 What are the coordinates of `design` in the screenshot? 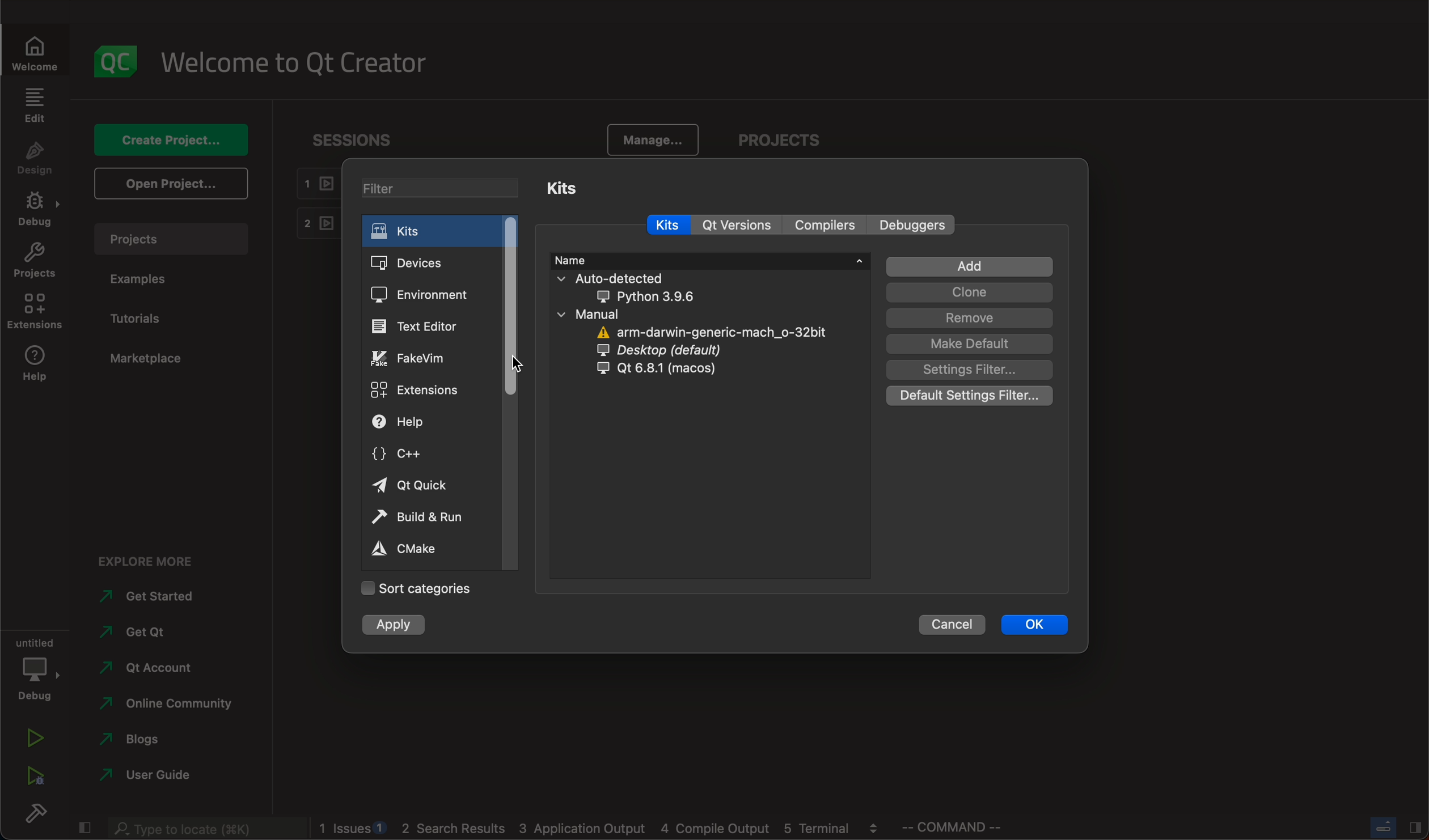 It's located at (36, 159).